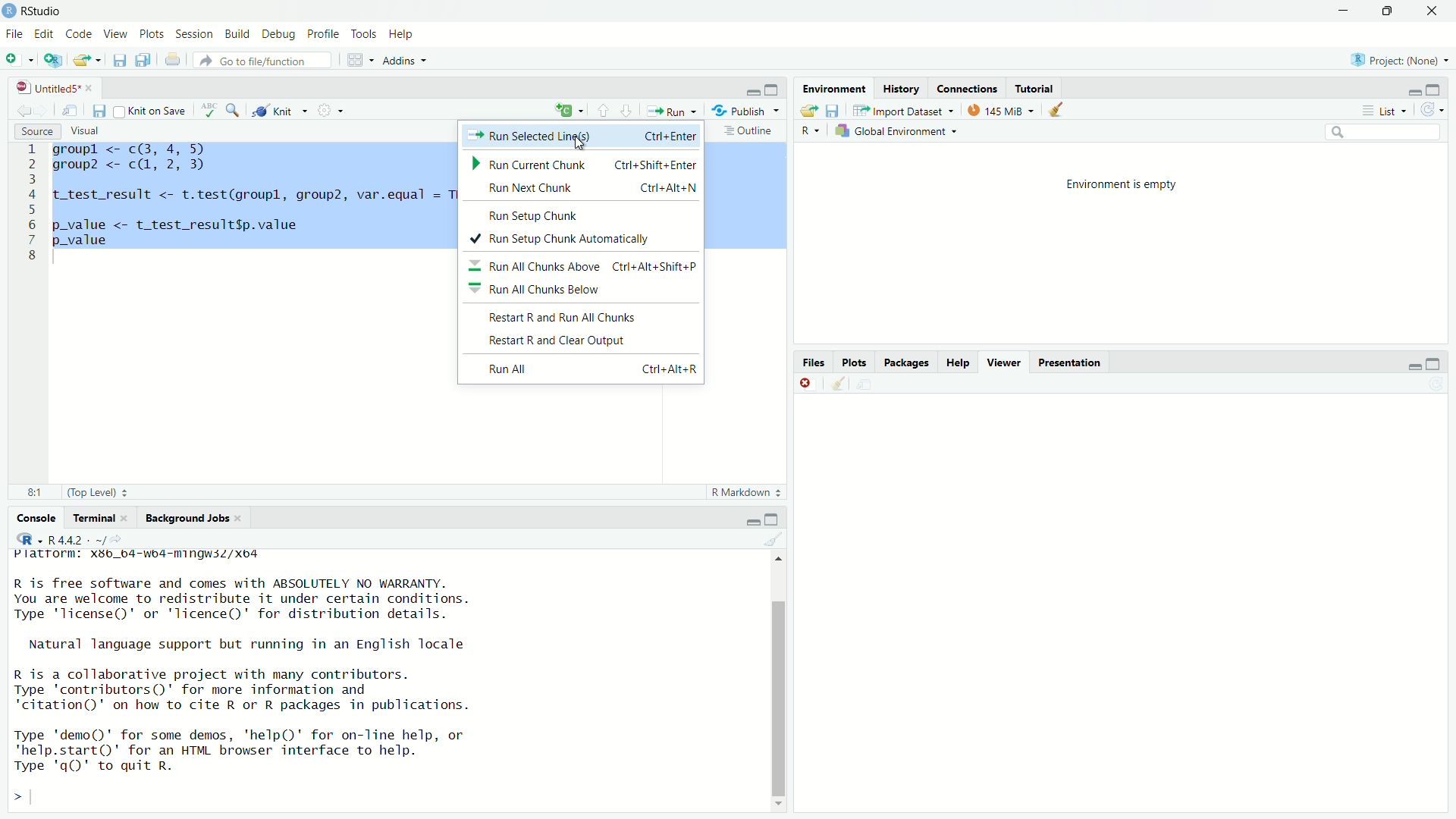  Describe the element at coordinates (581, 165) in the screenshot. I see `D Run Current Chunk Ctrl+Shift+Enter` at that location.